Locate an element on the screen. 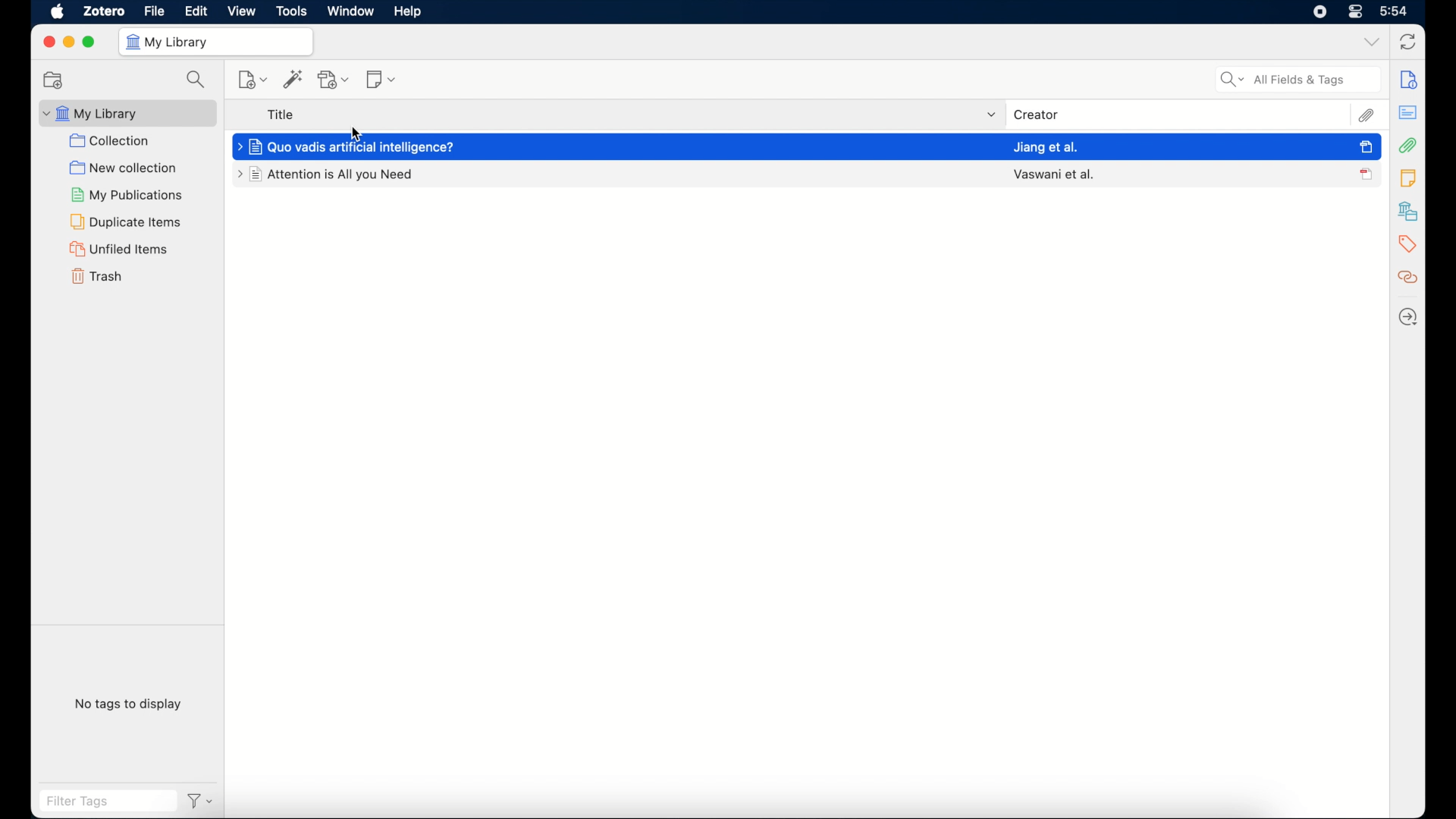 The width and height of the screenshot is (1456, 819). view is located at coordinates (243, 11).